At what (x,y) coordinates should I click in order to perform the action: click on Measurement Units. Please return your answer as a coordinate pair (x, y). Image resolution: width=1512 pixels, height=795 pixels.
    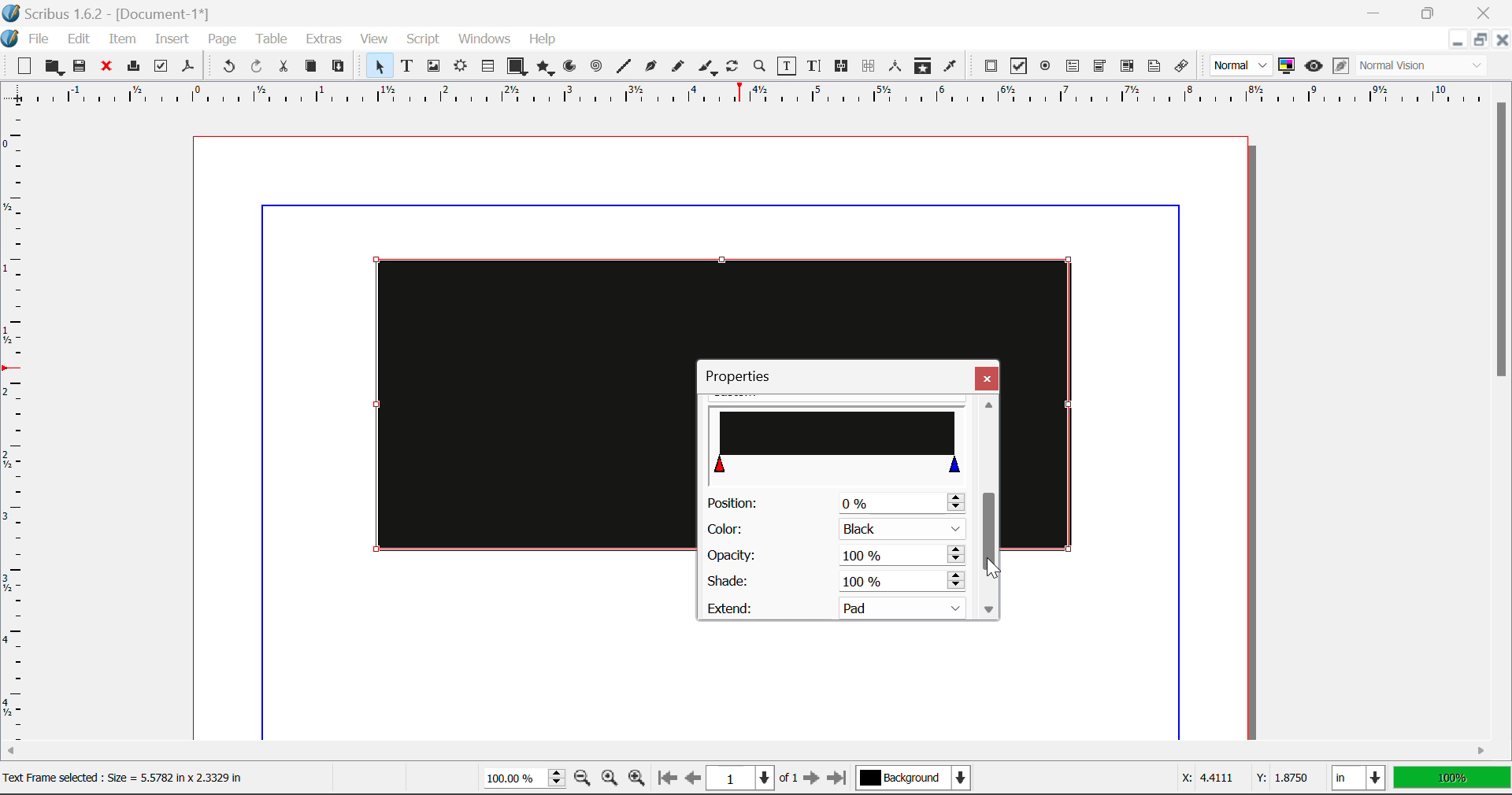
    Looking at the image, I should click on (1360, 780).